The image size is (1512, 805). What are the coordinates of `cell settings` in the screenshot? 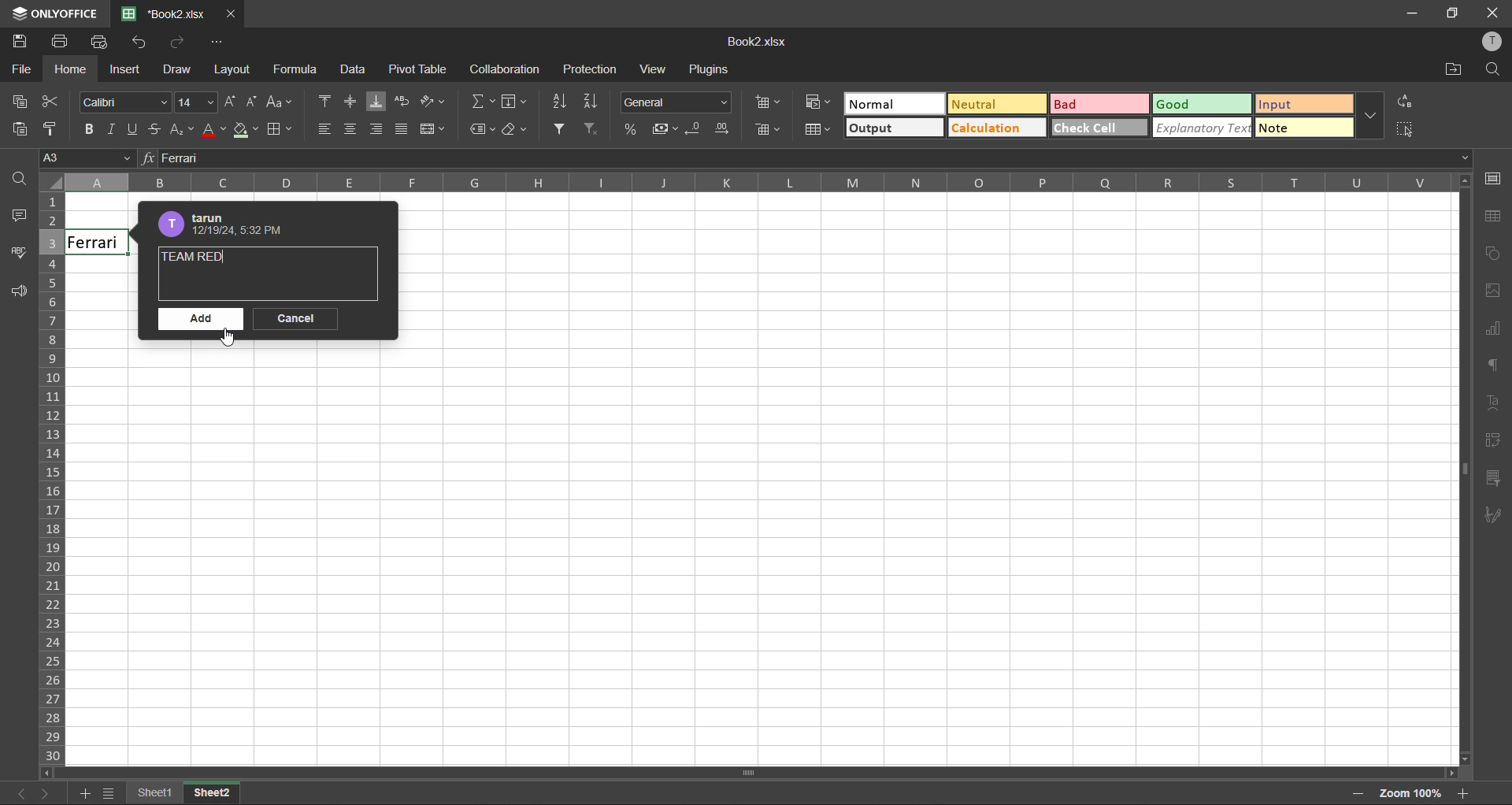 It's located at (1494, 178).